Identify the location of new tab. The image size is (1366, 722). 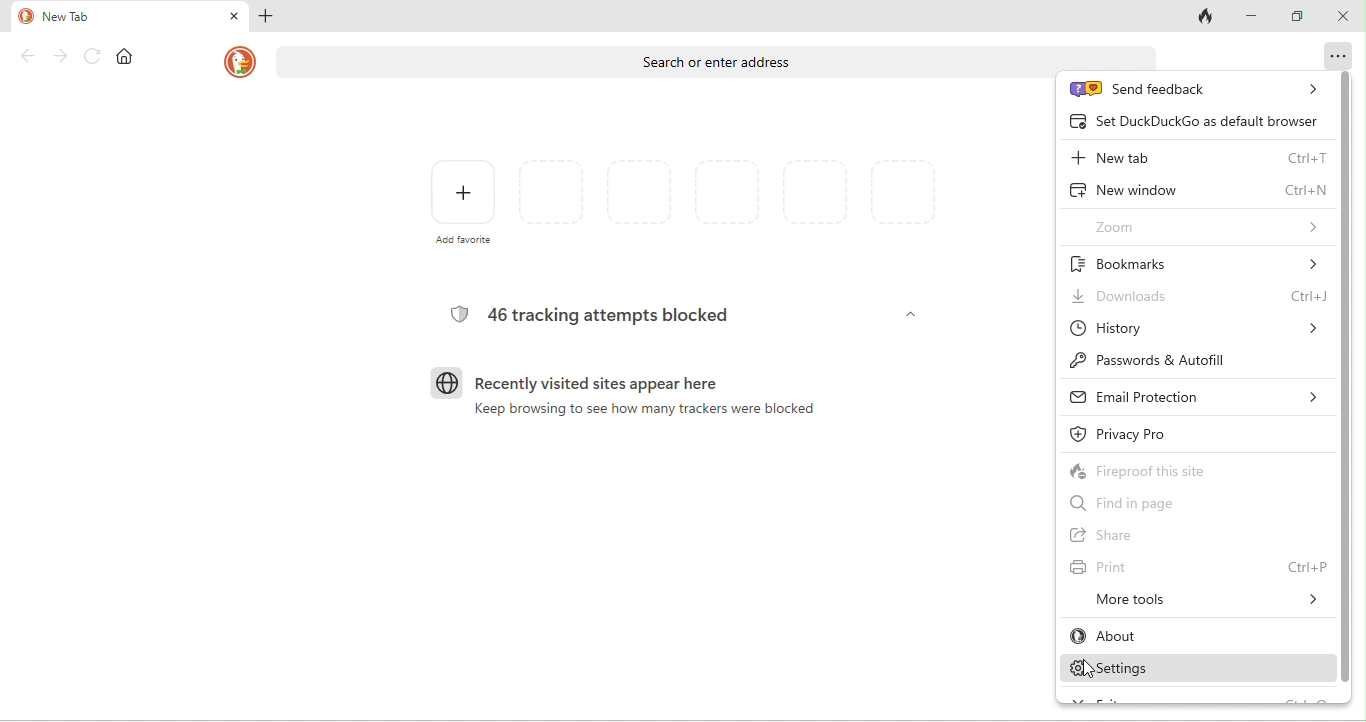
(1201, 154).